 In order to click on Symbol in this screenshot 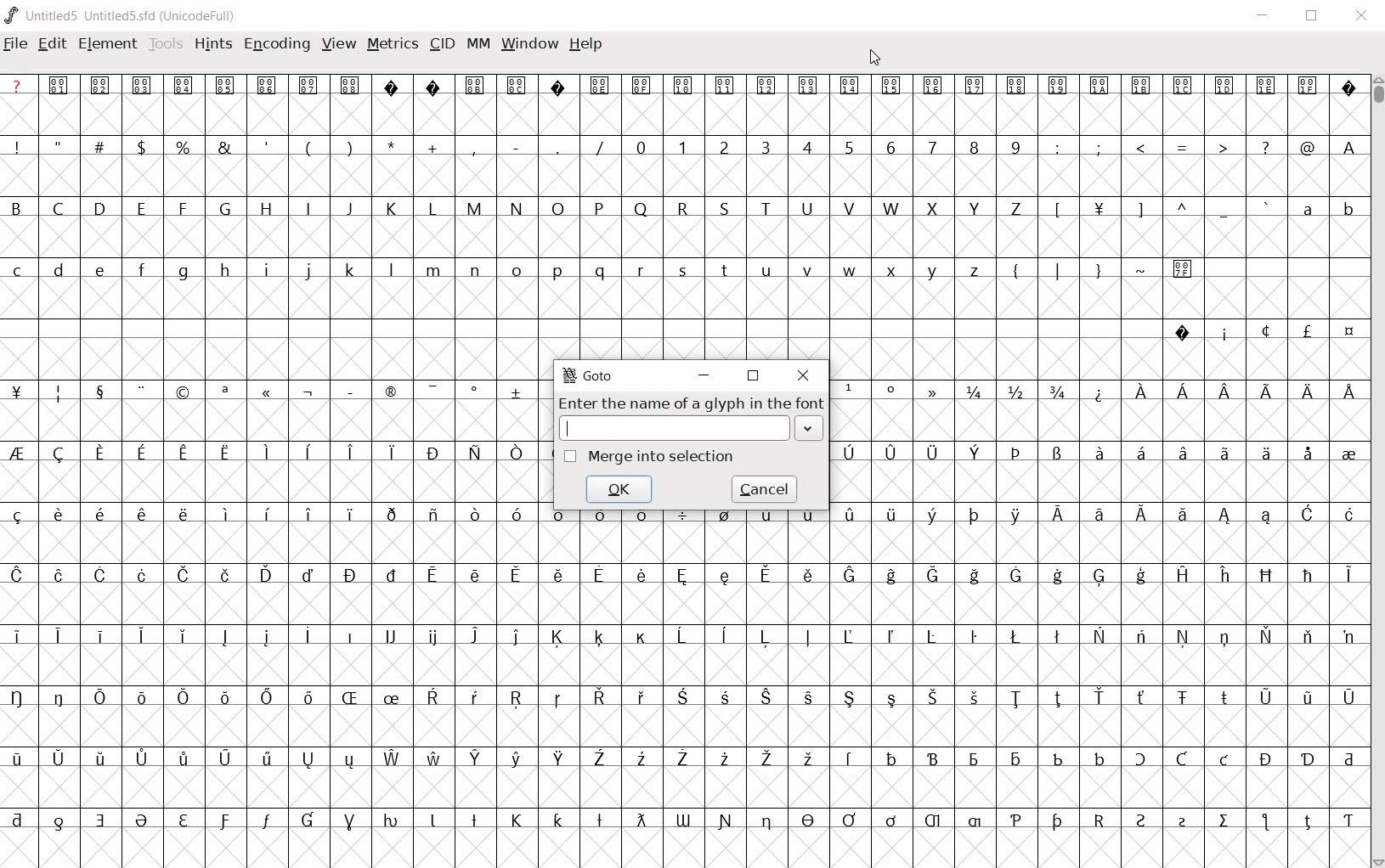, I will do `click(1056, 758)`.